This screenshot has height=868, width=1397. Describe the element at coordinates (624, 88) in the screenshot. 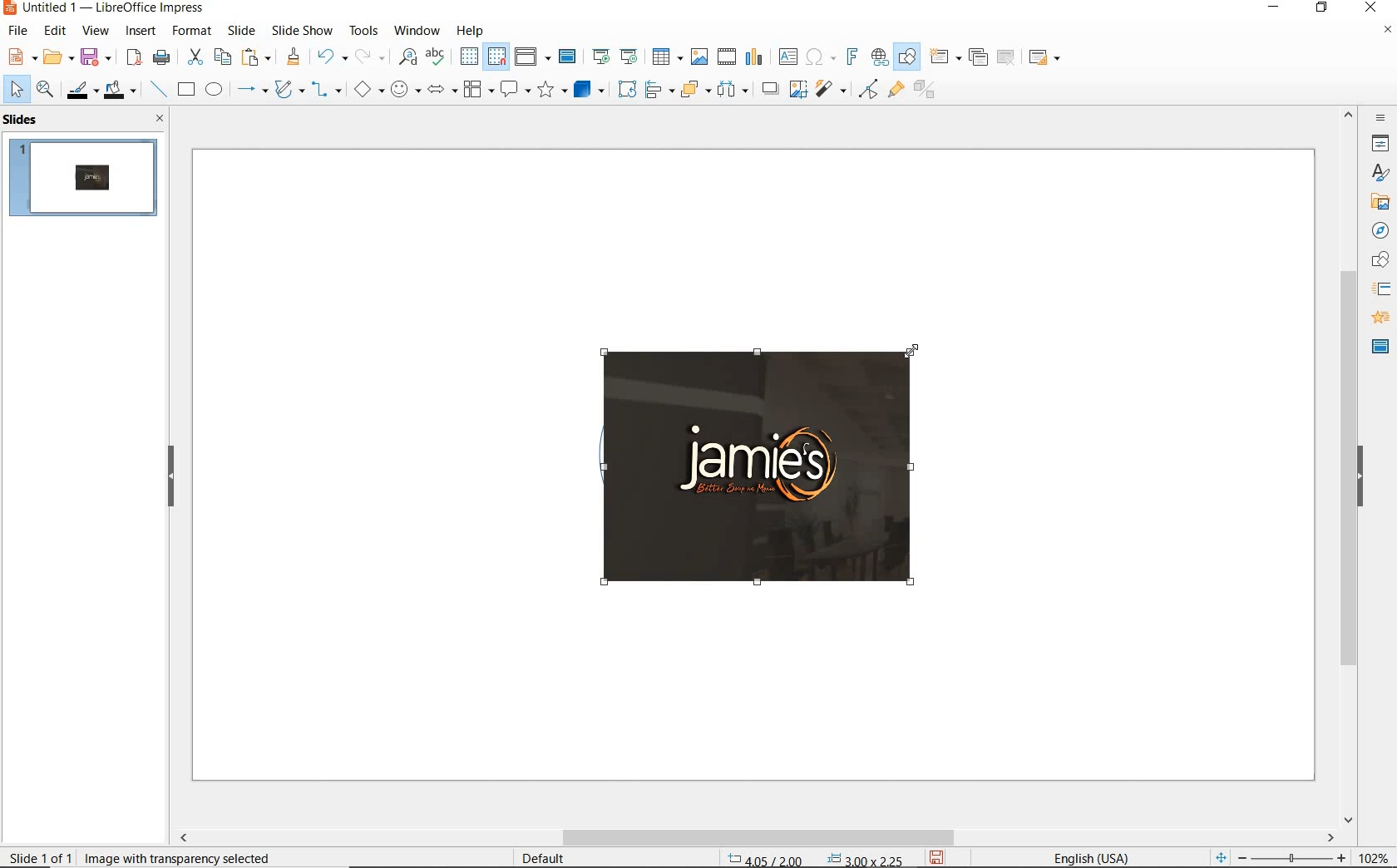

I see `rotate` at that location.